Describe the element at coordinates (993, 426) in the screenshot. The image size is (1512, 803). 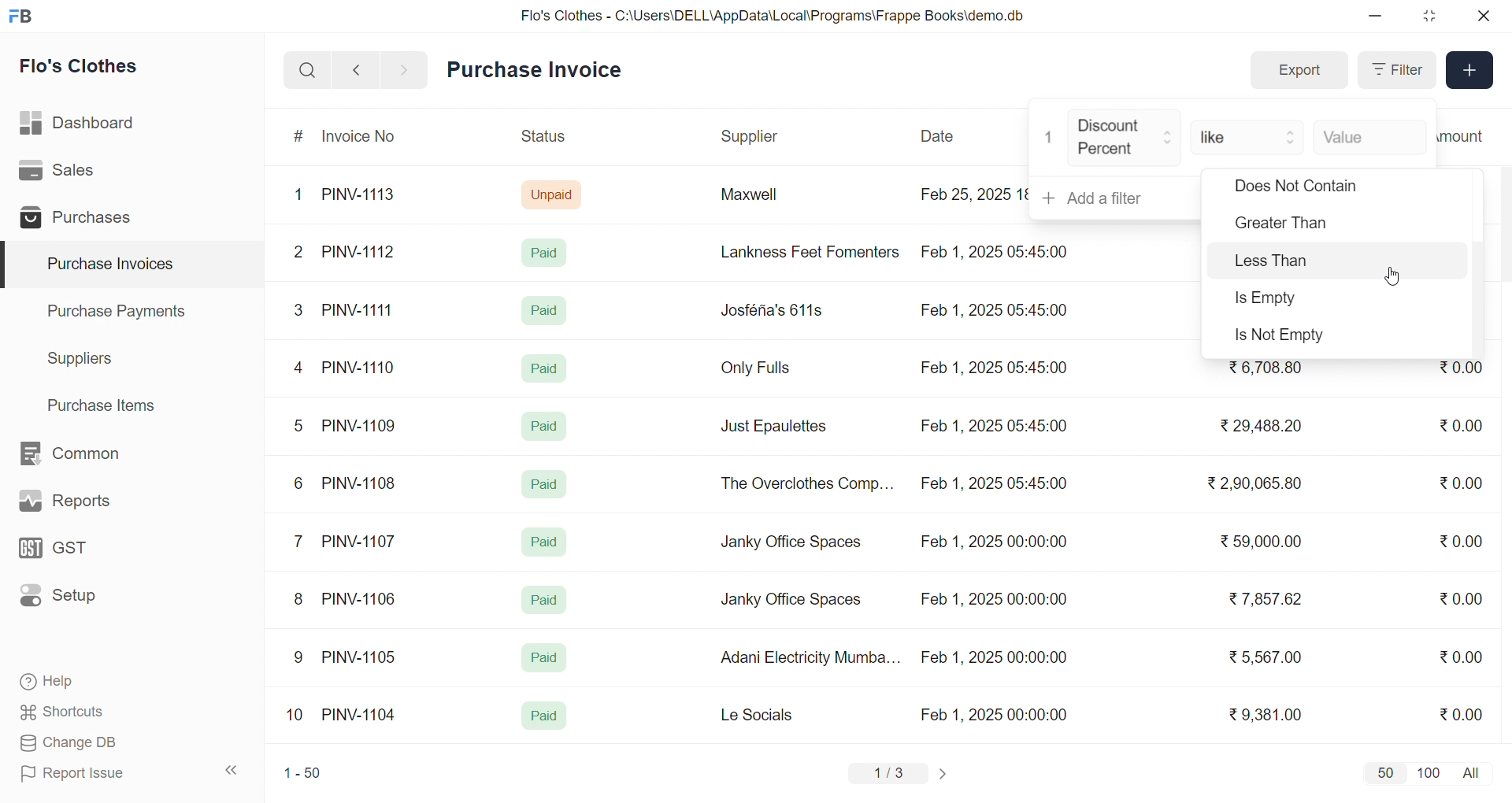
I see `Feb 1, 2025 05:45:00` at that location.